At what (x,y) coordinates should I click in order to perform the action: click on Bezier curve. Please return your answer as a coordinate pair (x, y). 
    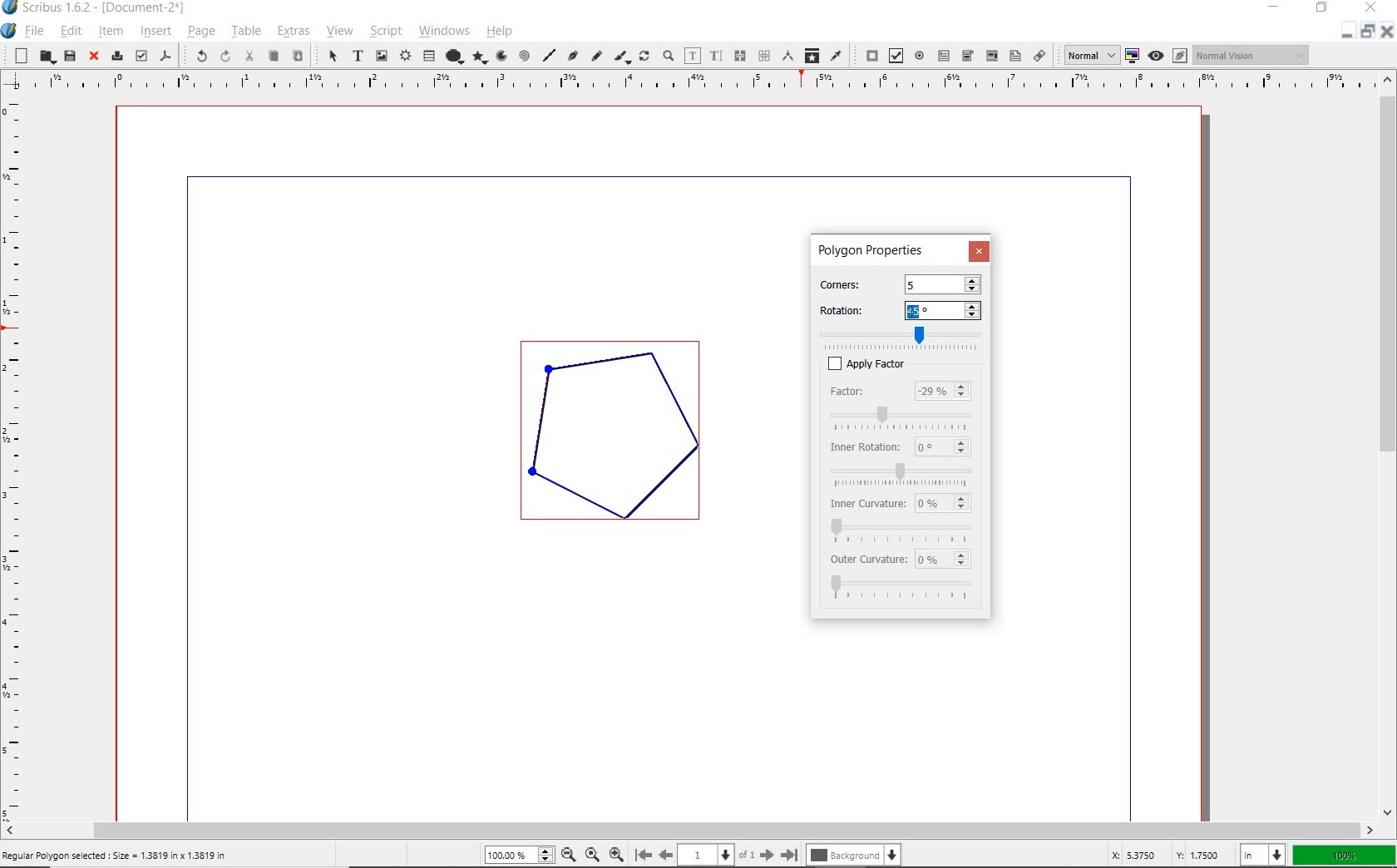
    Looking at the image, I should click on (570, 56).